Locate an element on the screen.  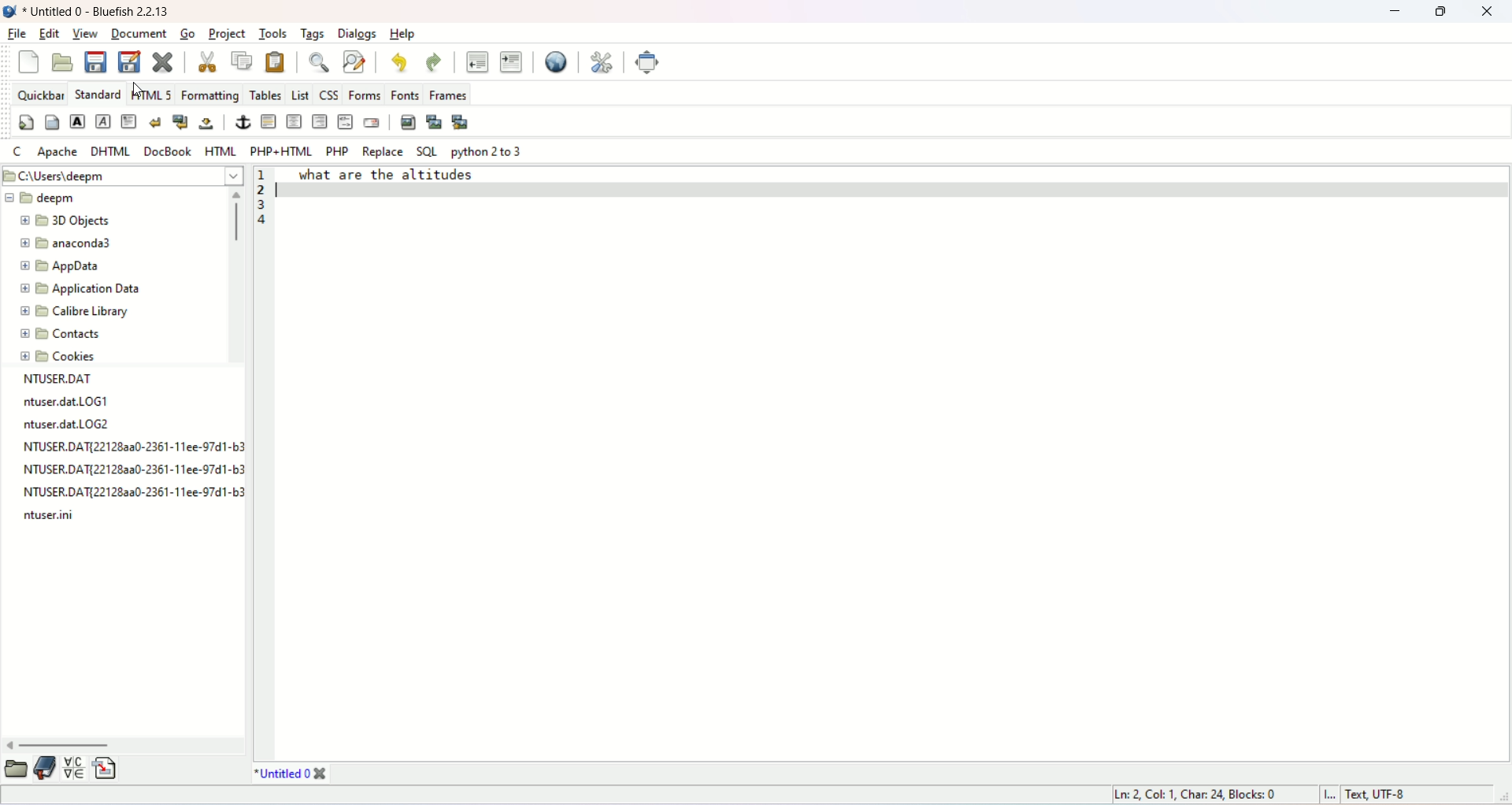
PHP+HTML is located at coordinates (281, 149).